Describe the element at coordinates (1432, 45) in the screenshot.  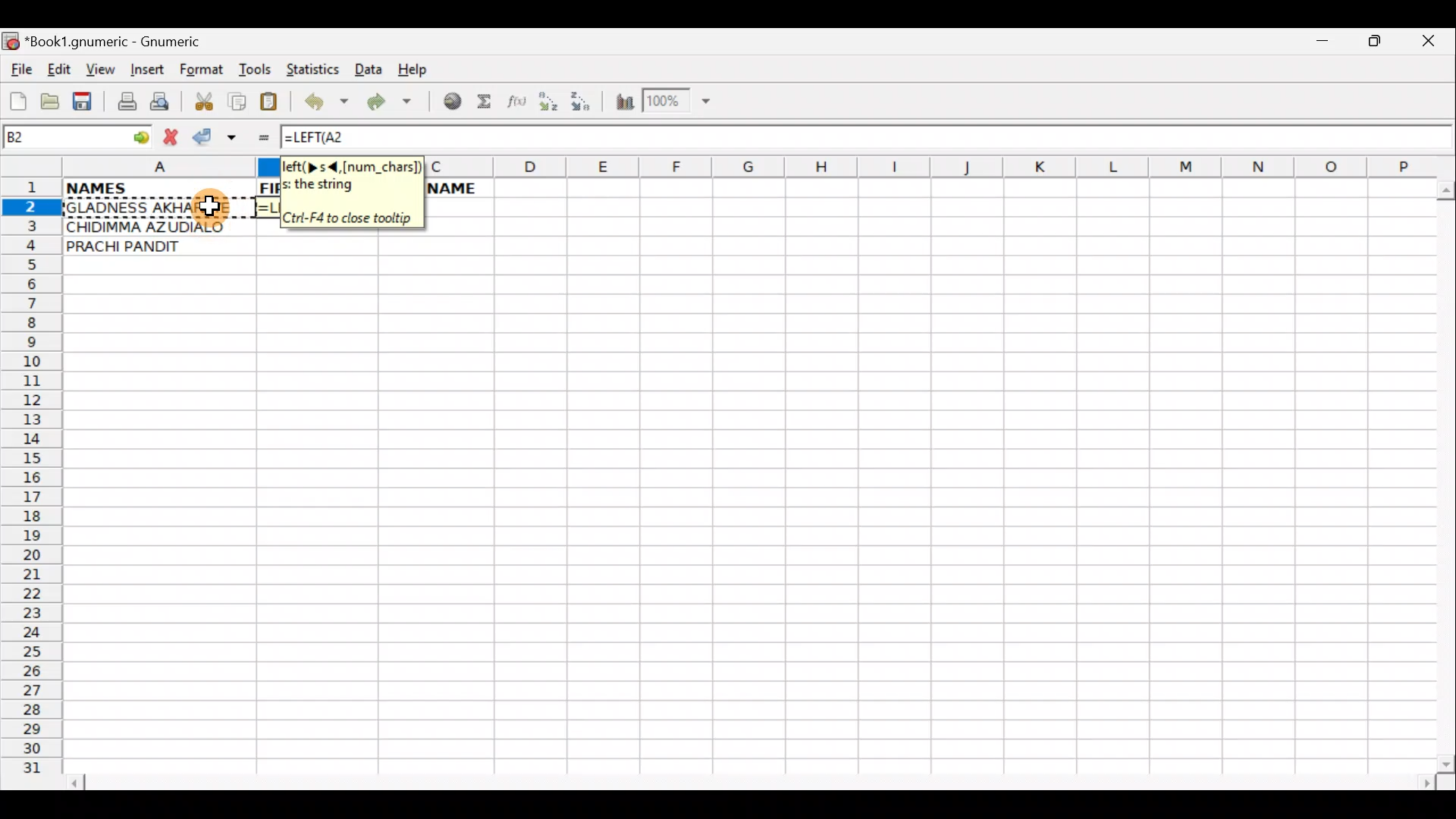
I see `Close` at that location.